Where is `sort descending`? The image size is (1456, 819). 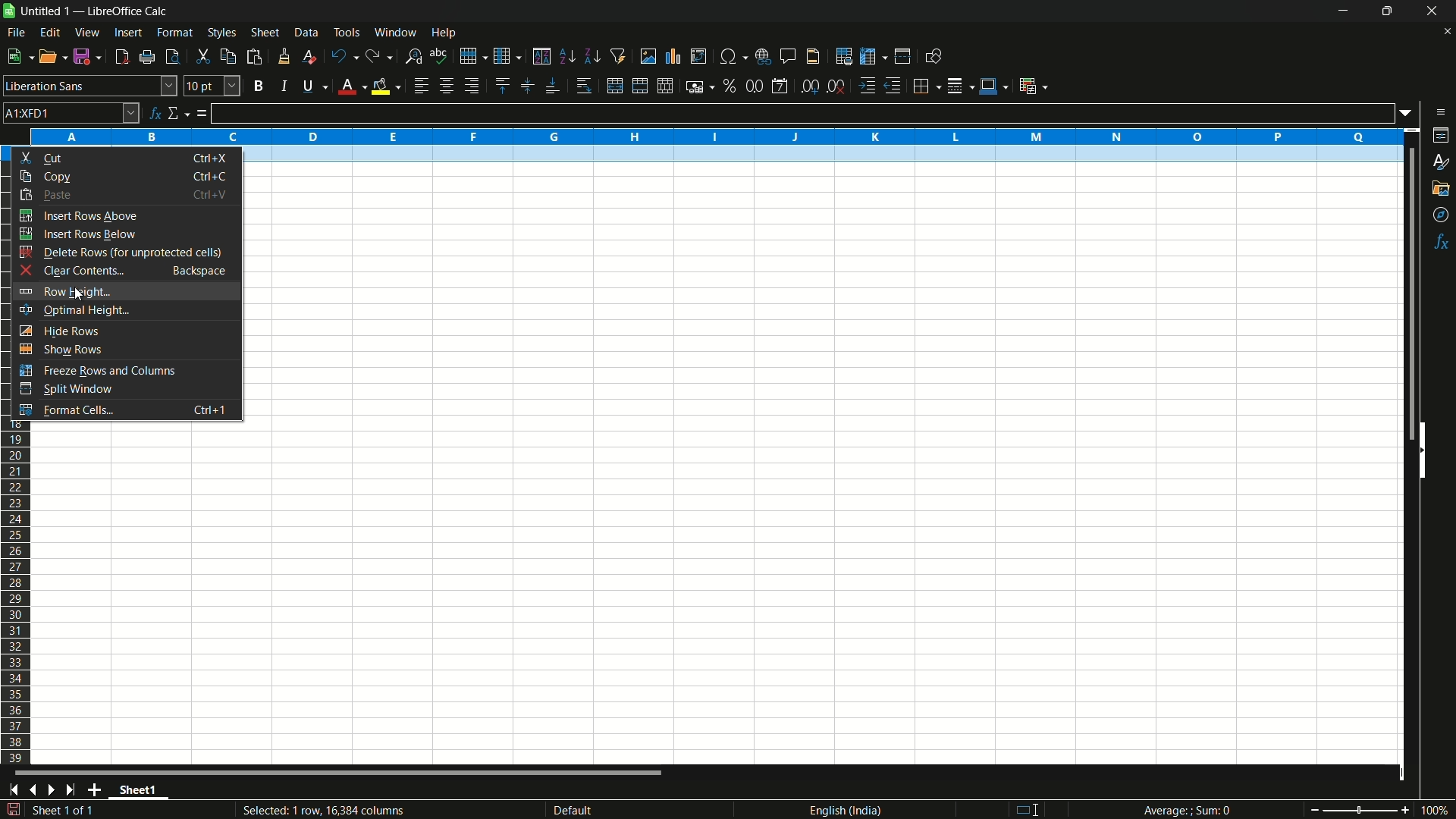
sort descending is located at coordinates (591, 56).